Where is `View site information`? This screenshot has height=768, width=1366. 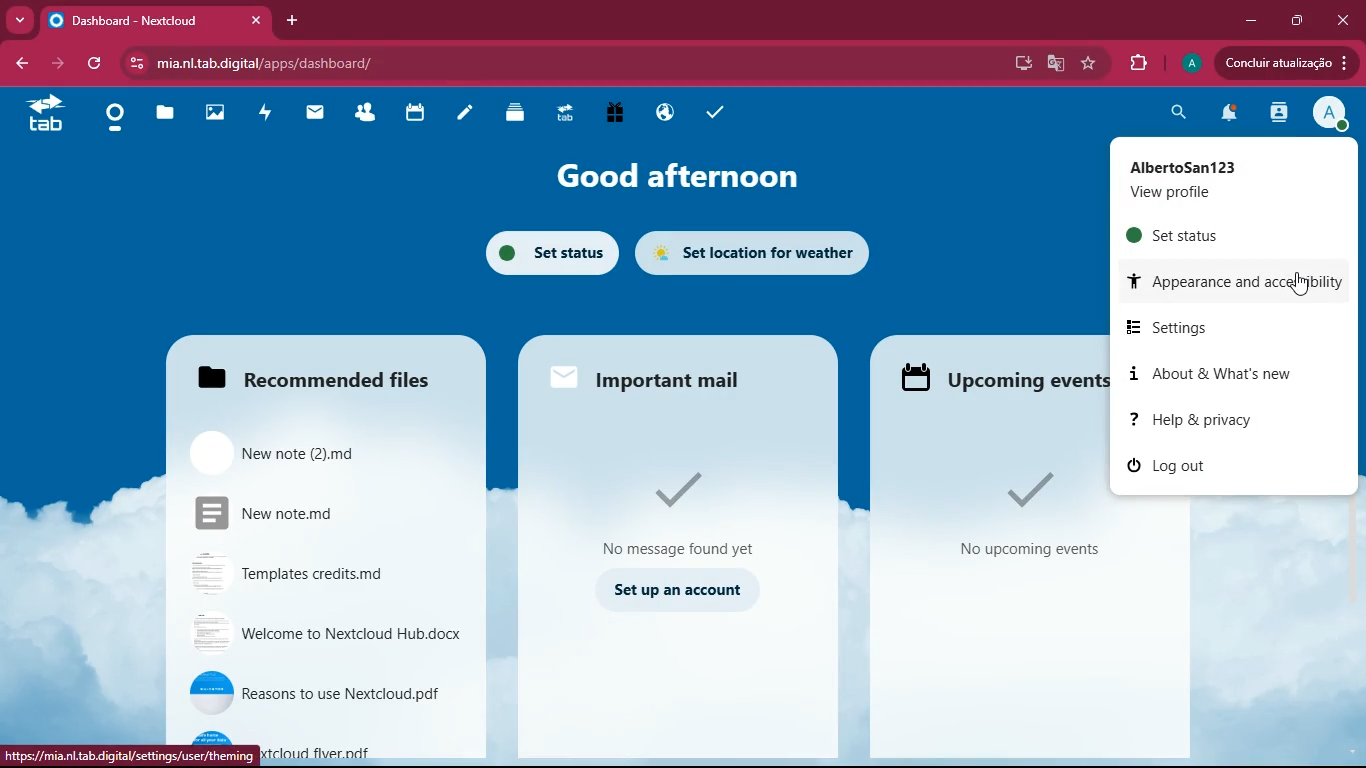
View site information is located at coordinates (137, 64).